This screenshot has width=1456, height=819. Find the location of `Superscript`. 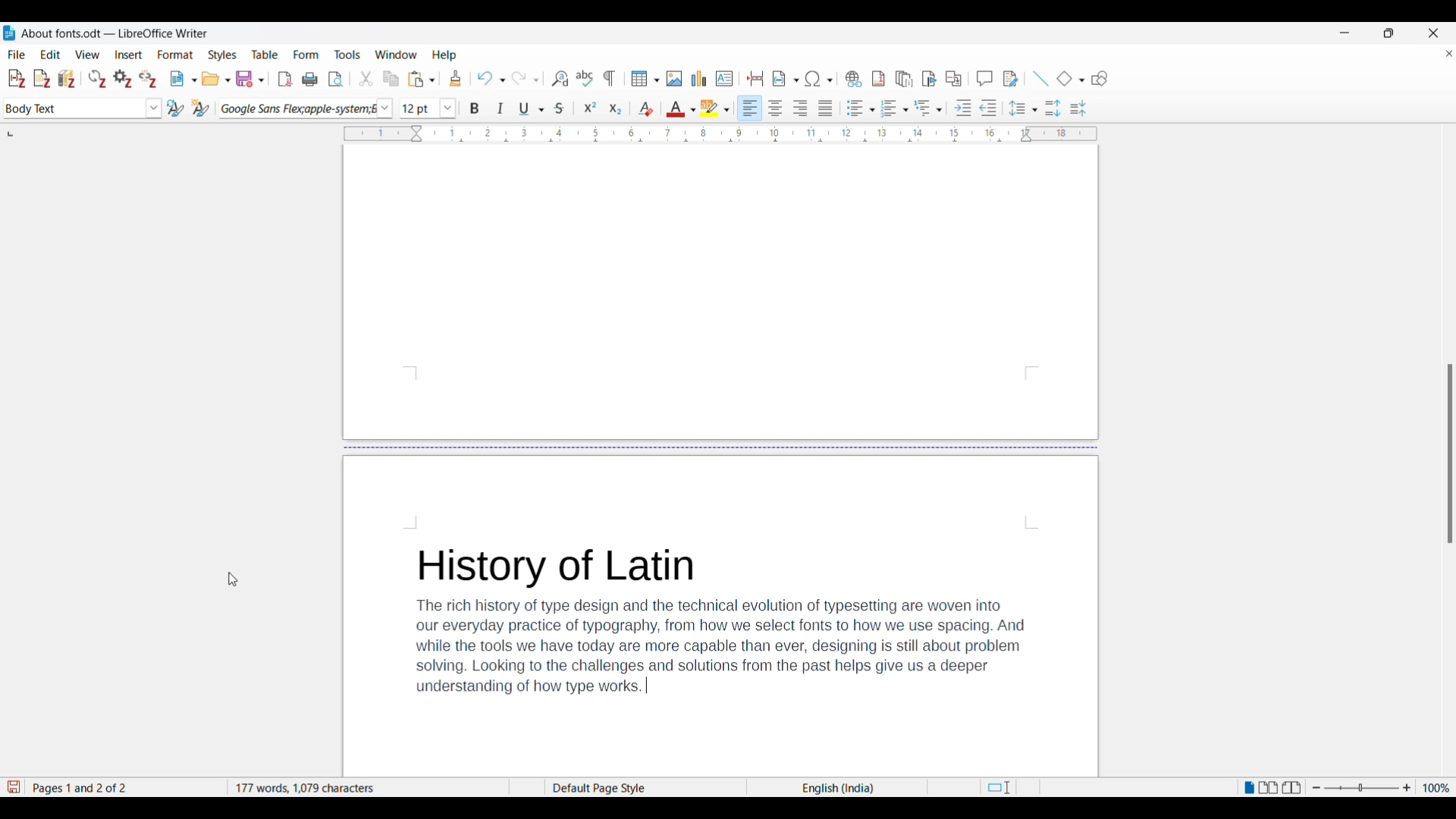

Superscript is located at coordinates (591, 108).